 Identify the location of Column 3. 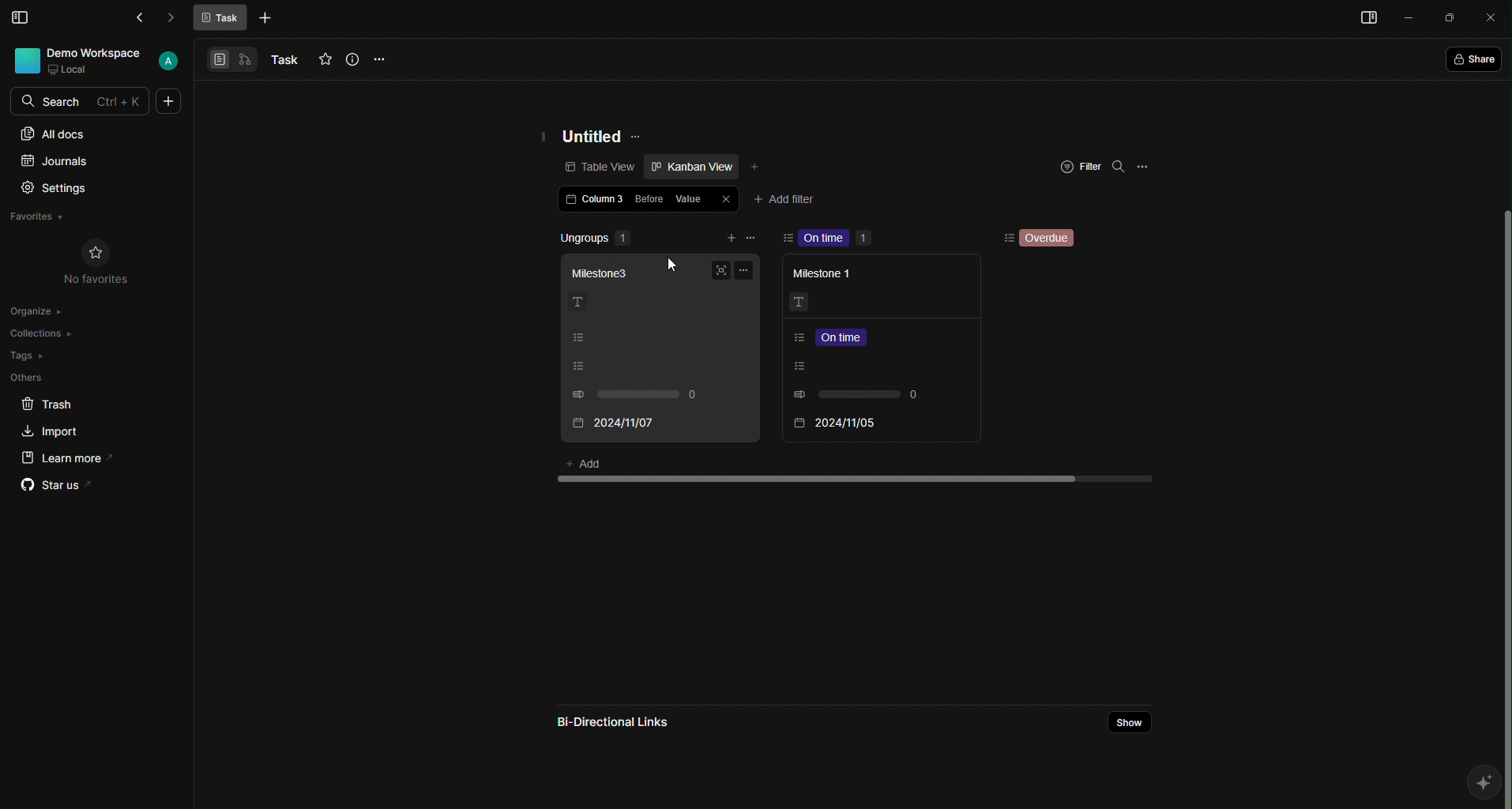
(592, 201).